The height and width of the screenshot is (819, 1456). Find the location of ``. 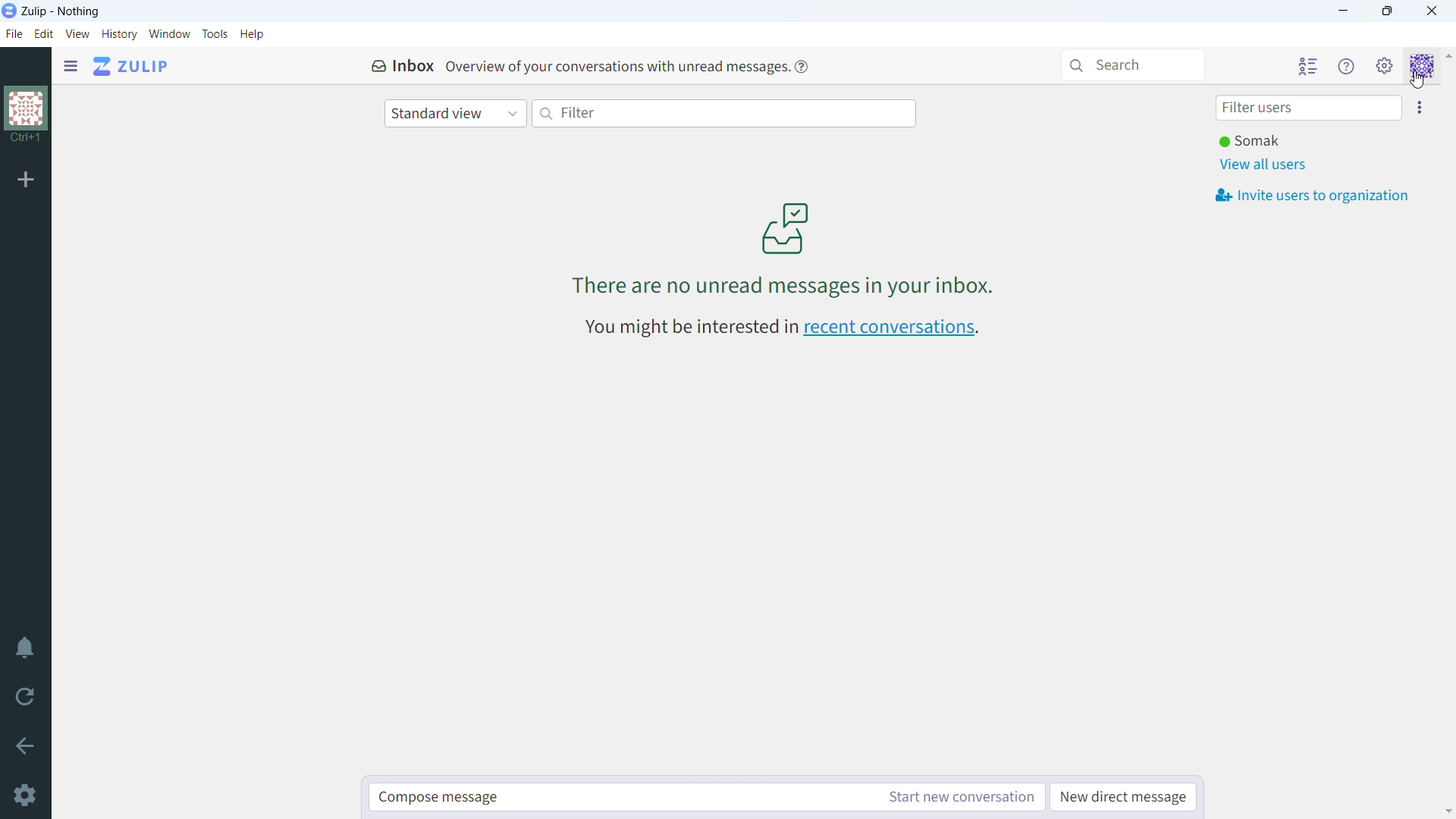

 is located at coordinates (1420, 80).